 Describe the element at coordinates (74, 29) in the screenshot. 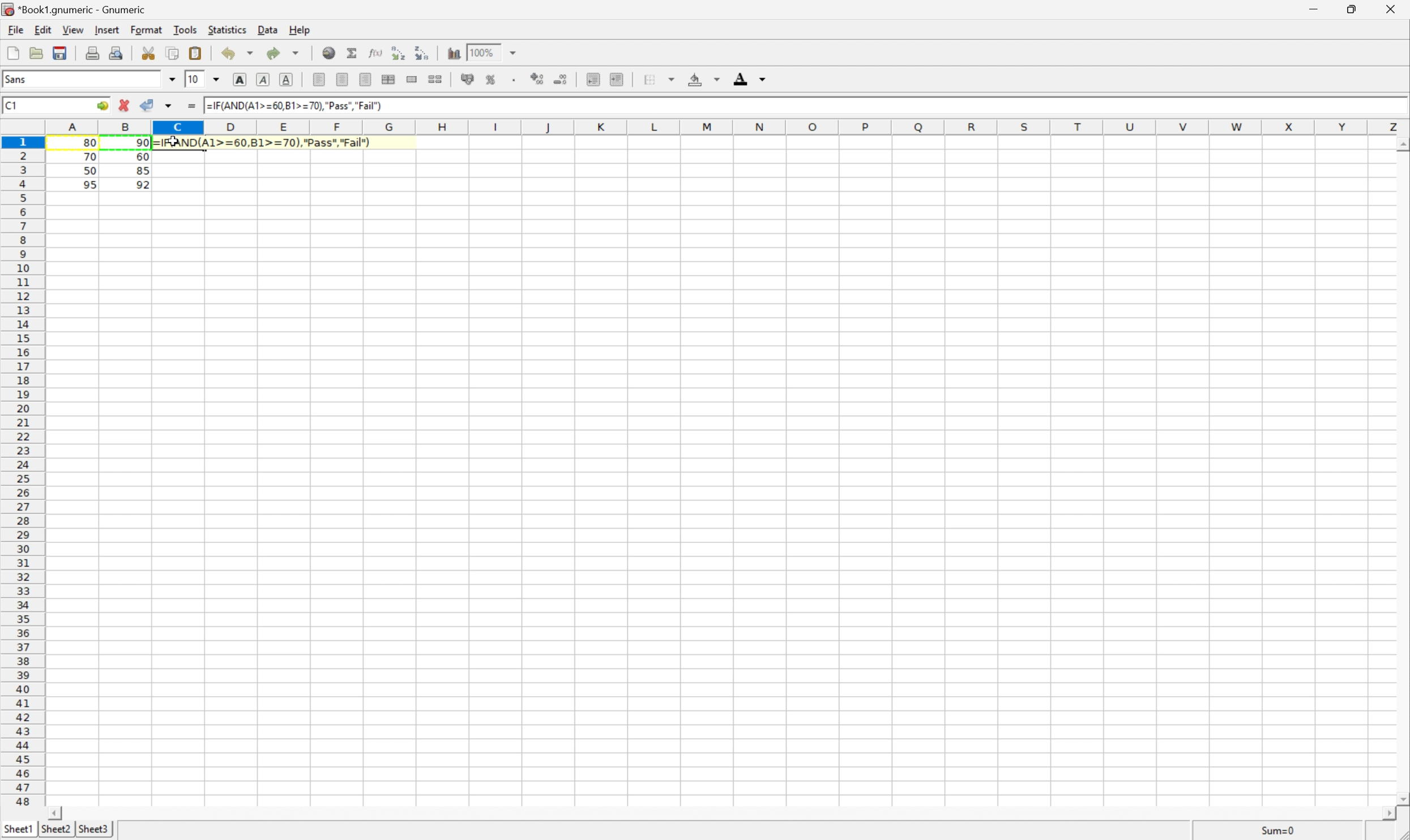

I see `View` at that location.